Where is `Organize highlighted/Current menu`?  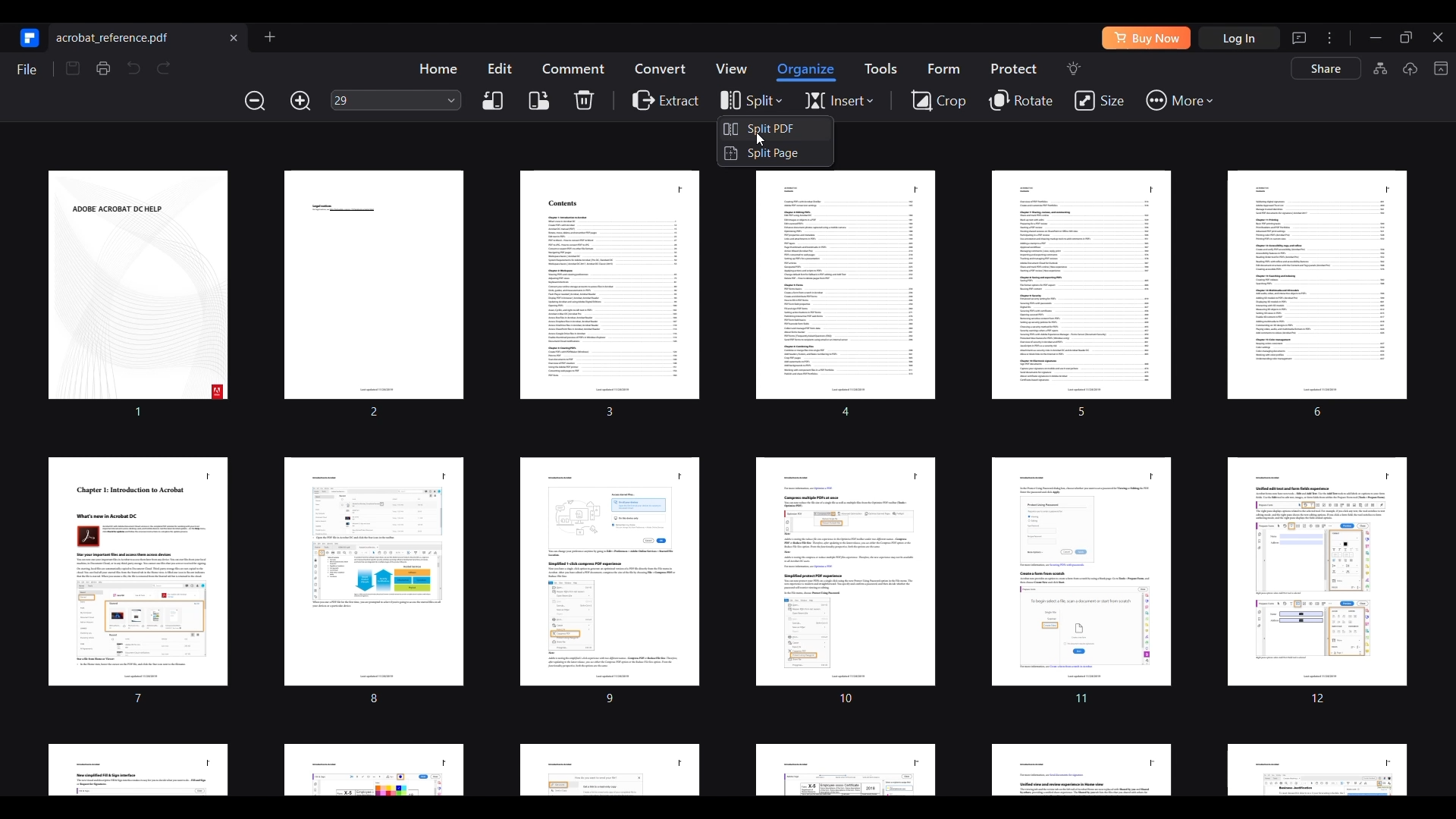 Organize highlighted/Current menu is located at coordinates (807, 72).